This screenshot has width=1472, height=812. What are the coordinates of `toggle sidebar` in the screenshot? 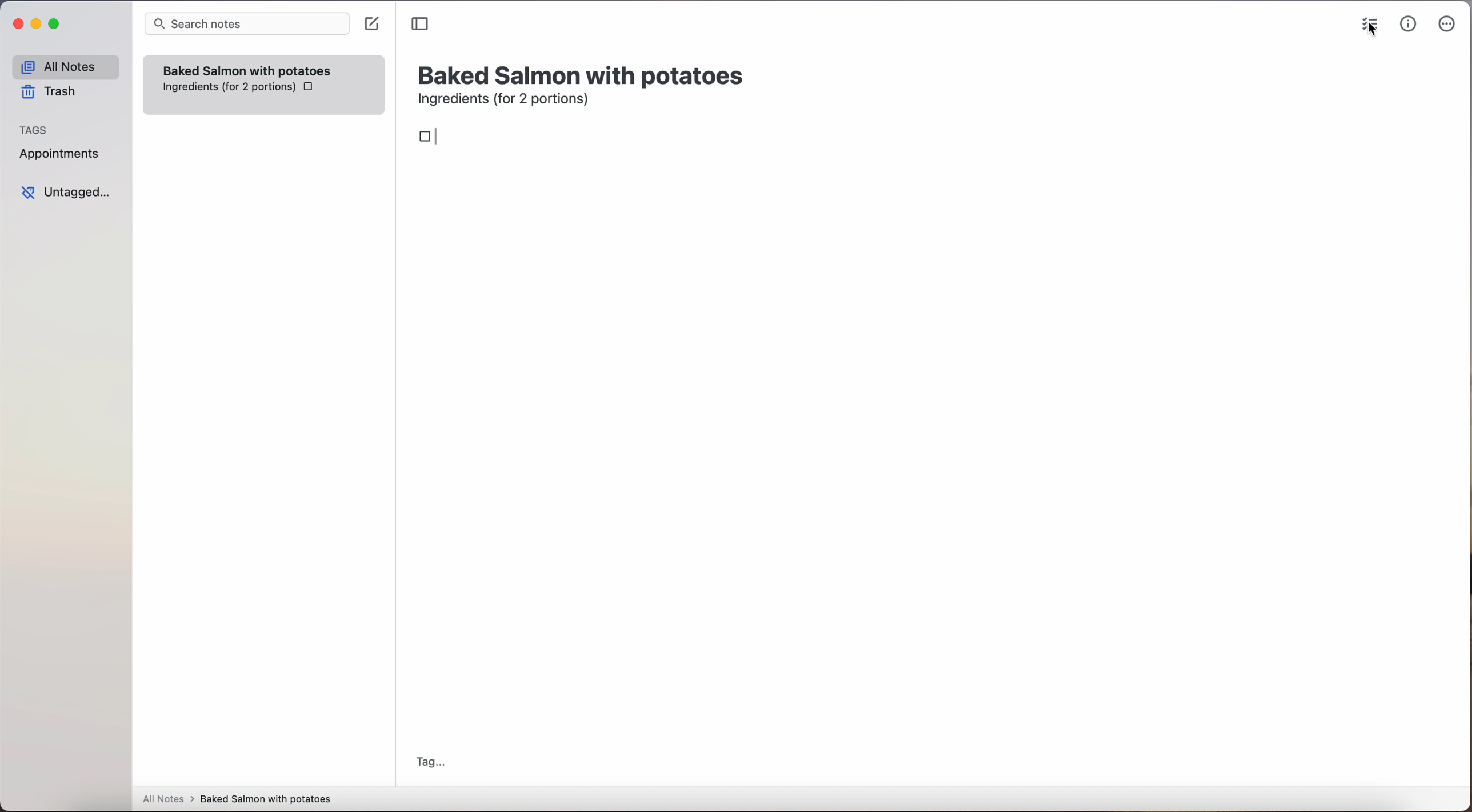 It's located at (421, 25).